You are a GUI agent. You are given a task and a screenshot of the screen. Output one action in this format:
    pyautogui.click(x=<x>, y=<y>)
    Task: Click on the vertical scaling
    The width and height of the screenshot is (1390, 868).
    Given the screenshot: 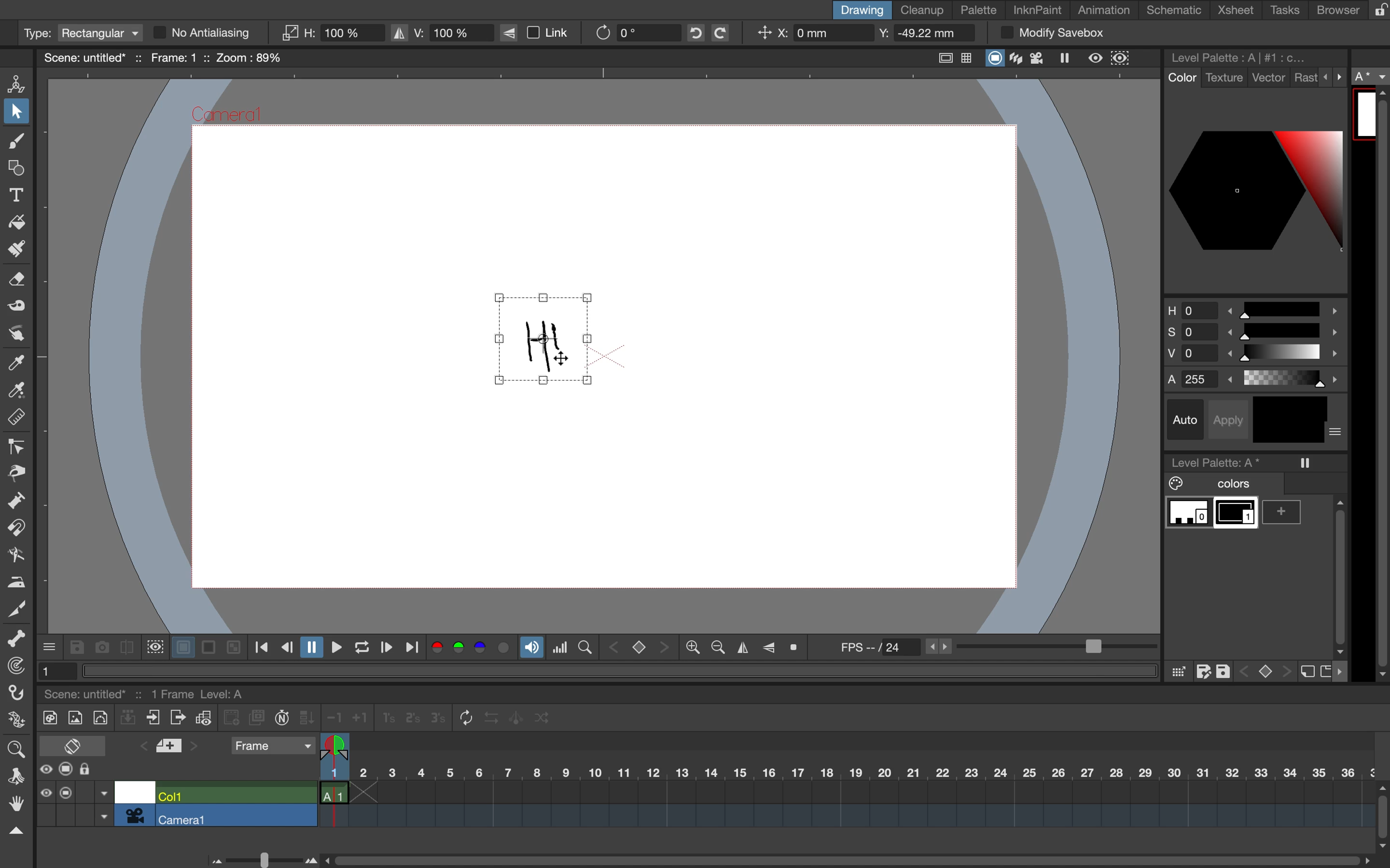 What is the action you would take?
    pyautogui.click(x=441, y=32)
    